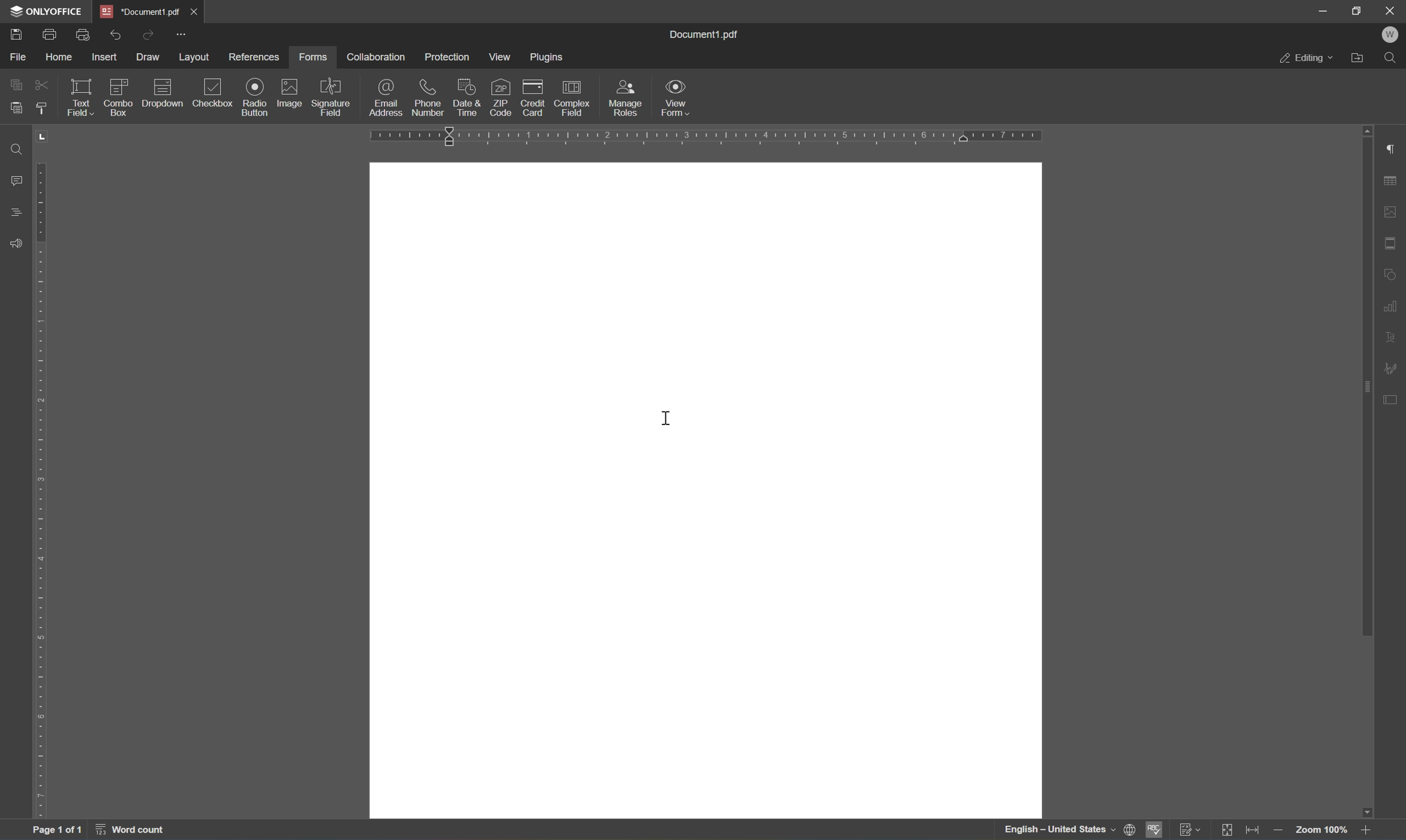  I want to click on zoom out, so click(1286, 832).